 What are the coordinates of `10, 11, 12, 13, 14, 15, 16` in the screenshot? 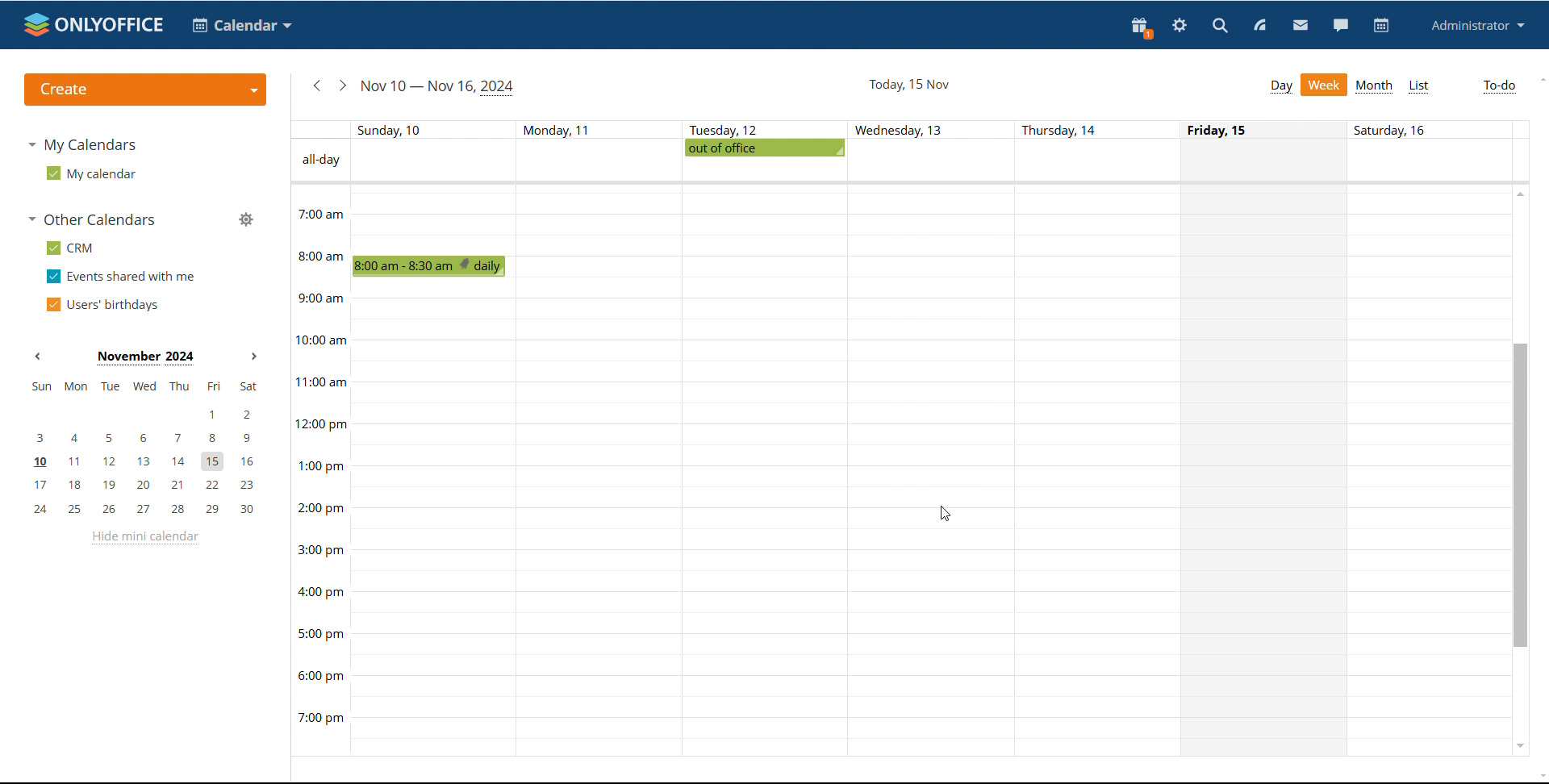 It's located at (150, 463).